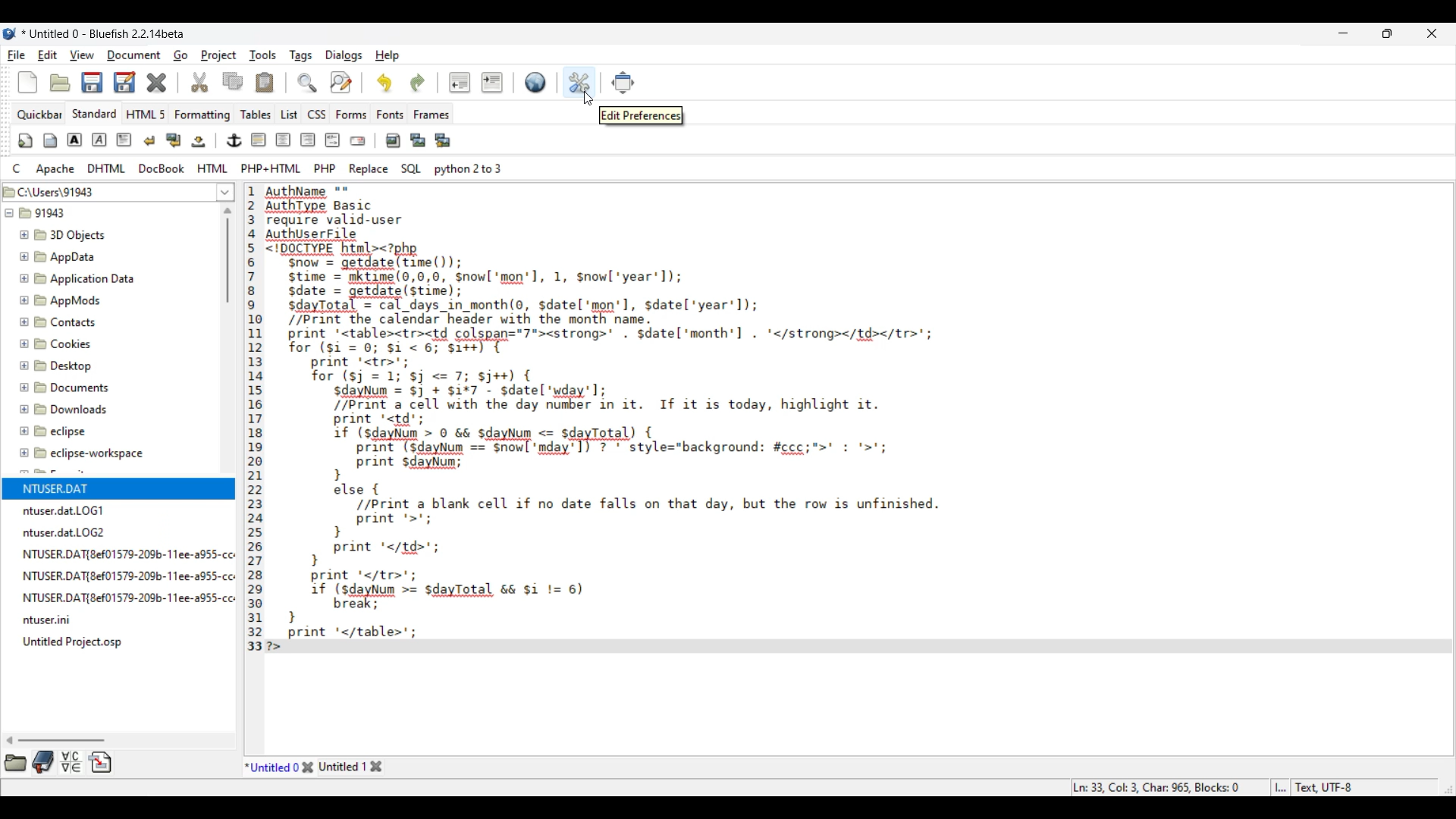  What do you see at coordinates (69, 531) in the screenshot?
I see `ntuser.dat.LOG2` at bounding box center [69, 531].